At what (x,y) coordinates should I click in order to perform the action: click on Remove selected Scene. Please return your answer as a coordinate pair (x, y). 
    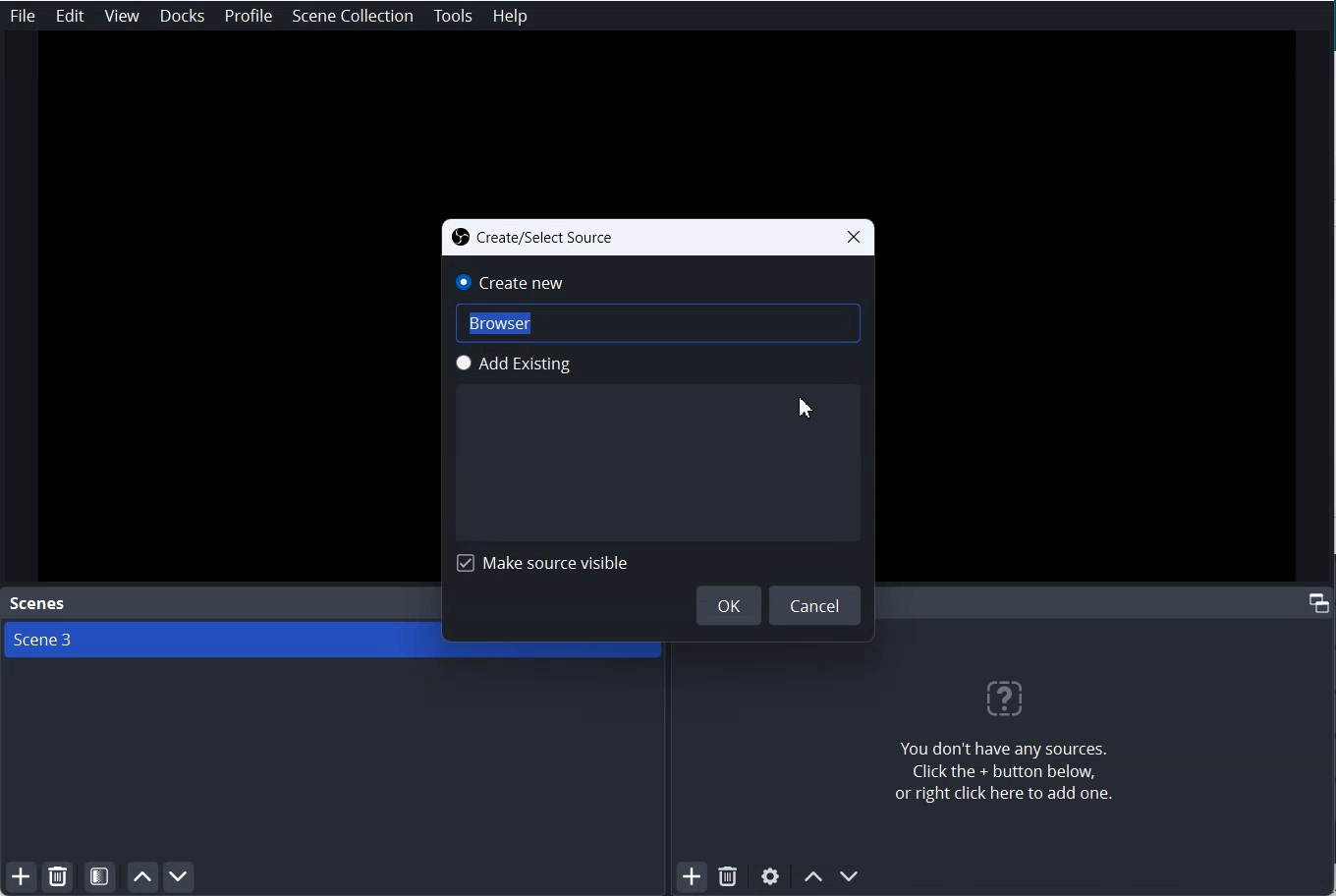
    Looking at the image, I should click on (58, 877).